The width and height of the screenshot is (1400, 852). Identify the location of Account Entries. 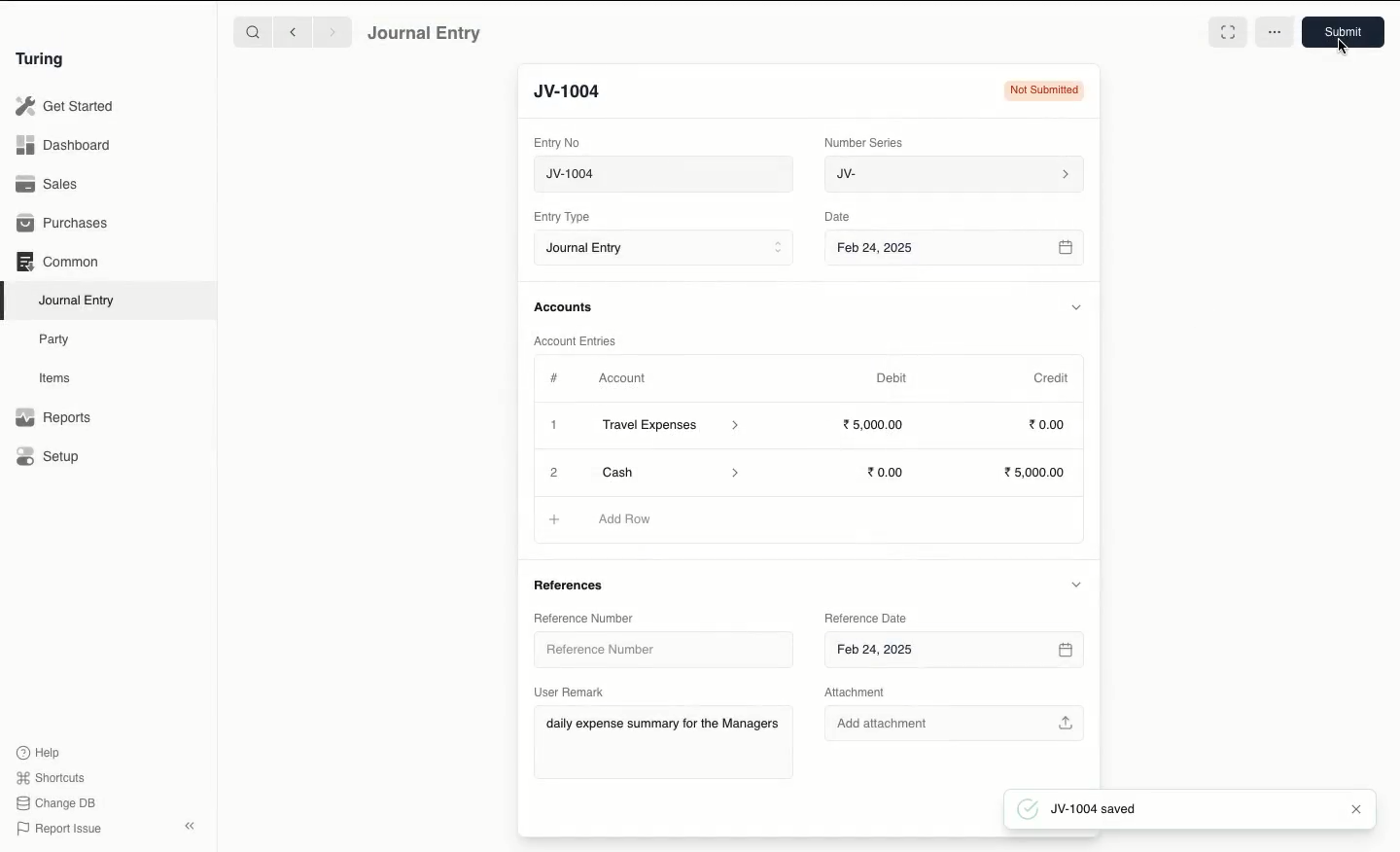
(578, 340).